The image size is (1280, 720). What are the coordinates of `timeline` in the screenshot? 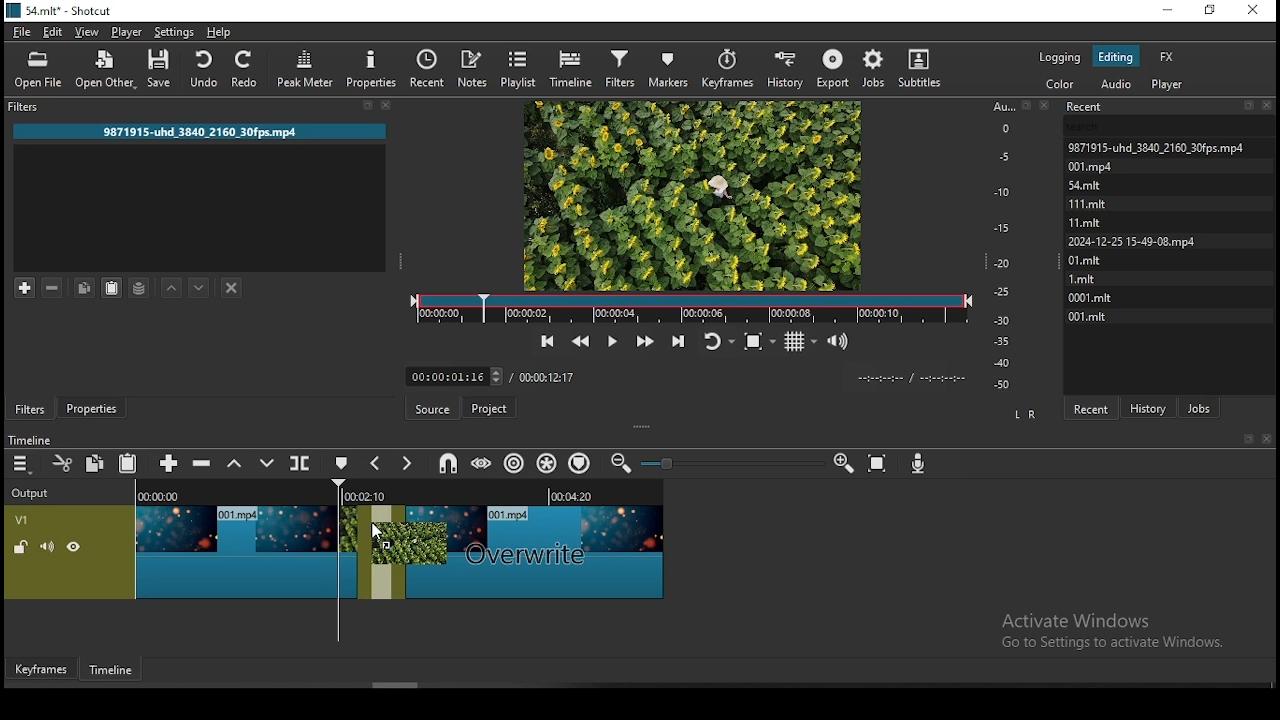 It's located at (29, 440).